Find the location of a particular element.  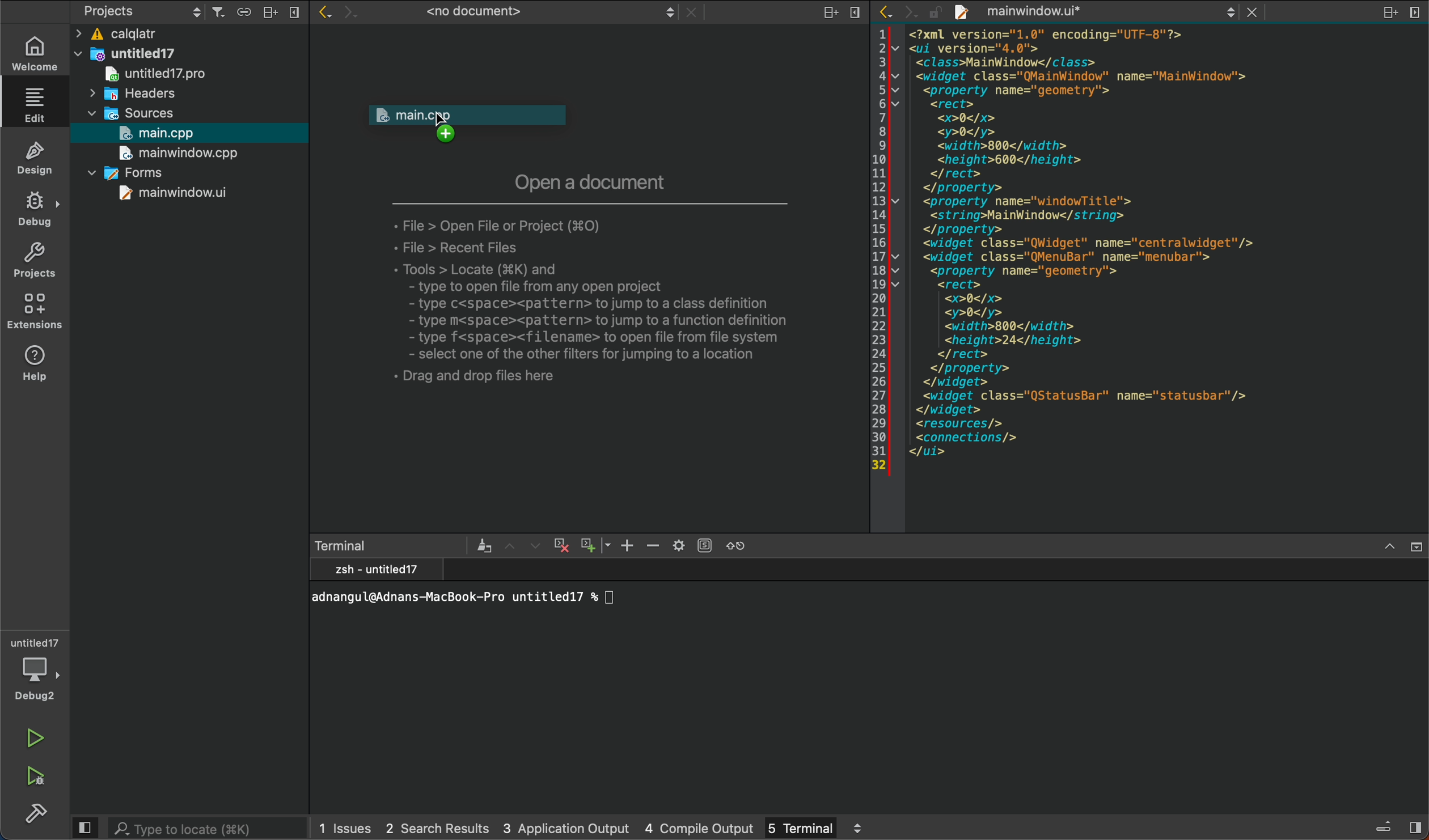

search results is located at coordinates (437, 828).